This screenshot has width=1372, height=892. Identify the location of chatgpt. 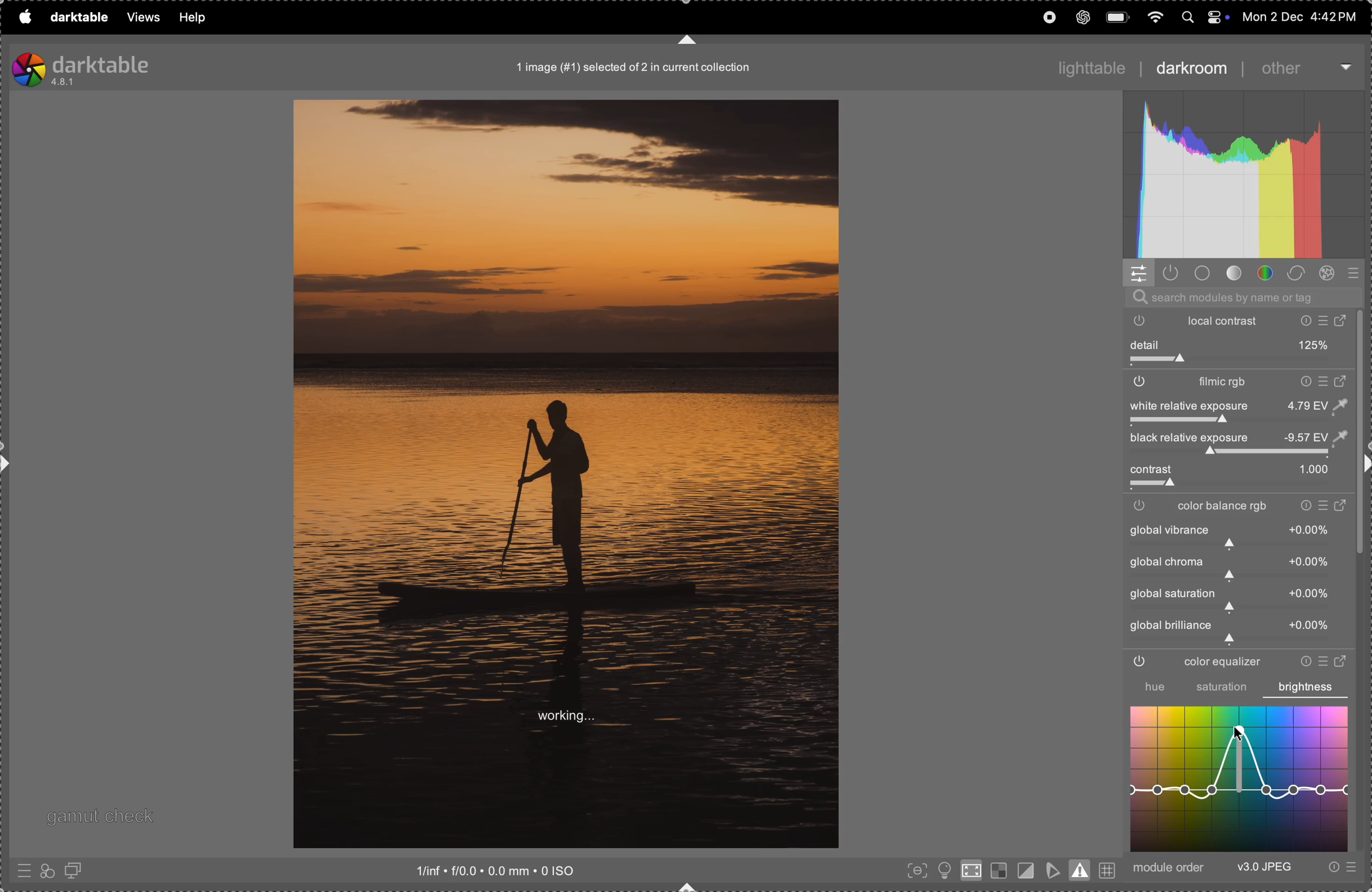
(1083, 17).